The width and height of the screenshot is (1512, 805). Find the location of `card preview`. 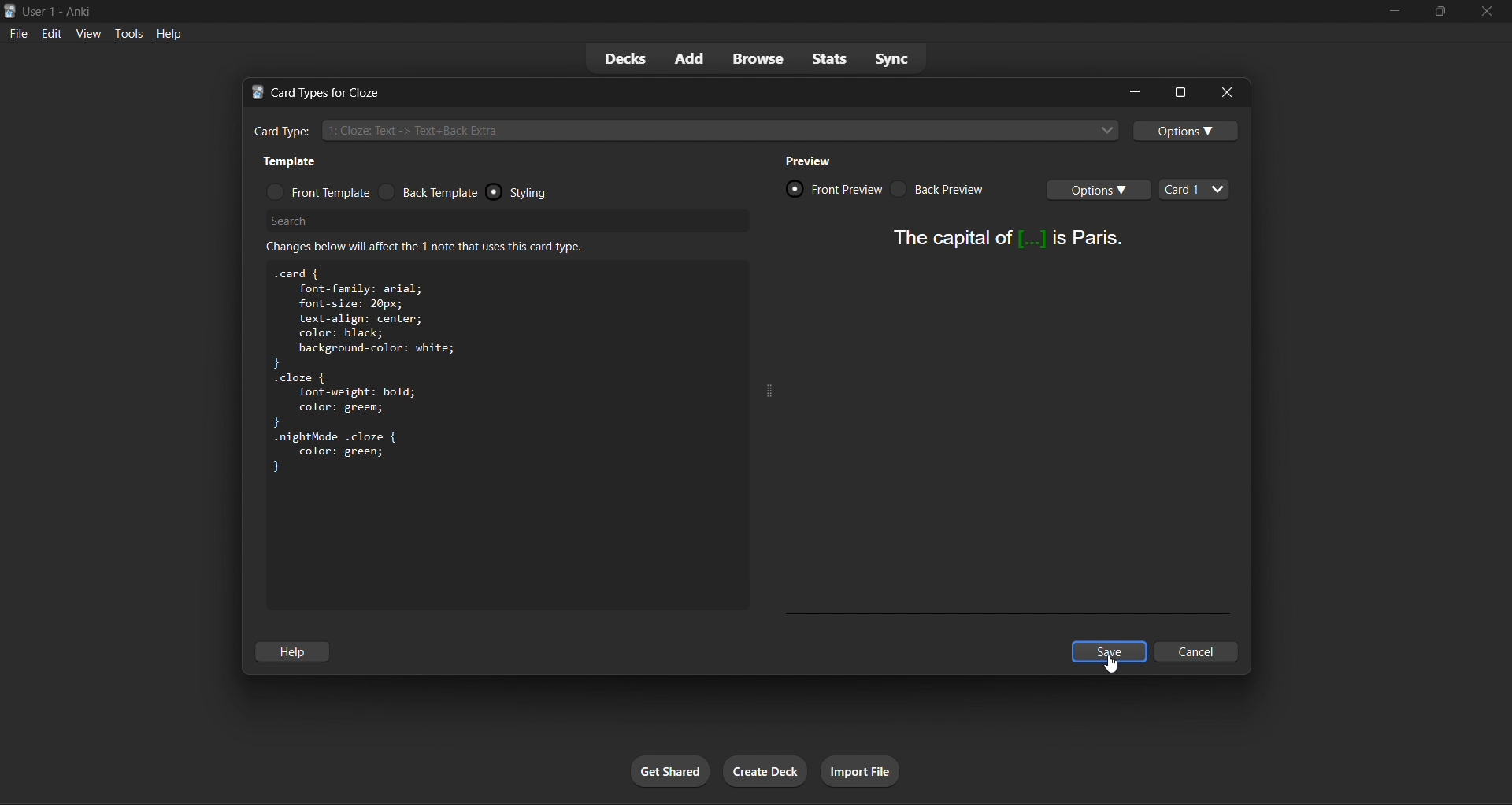

card preview is located at coordinates (1006, 246).